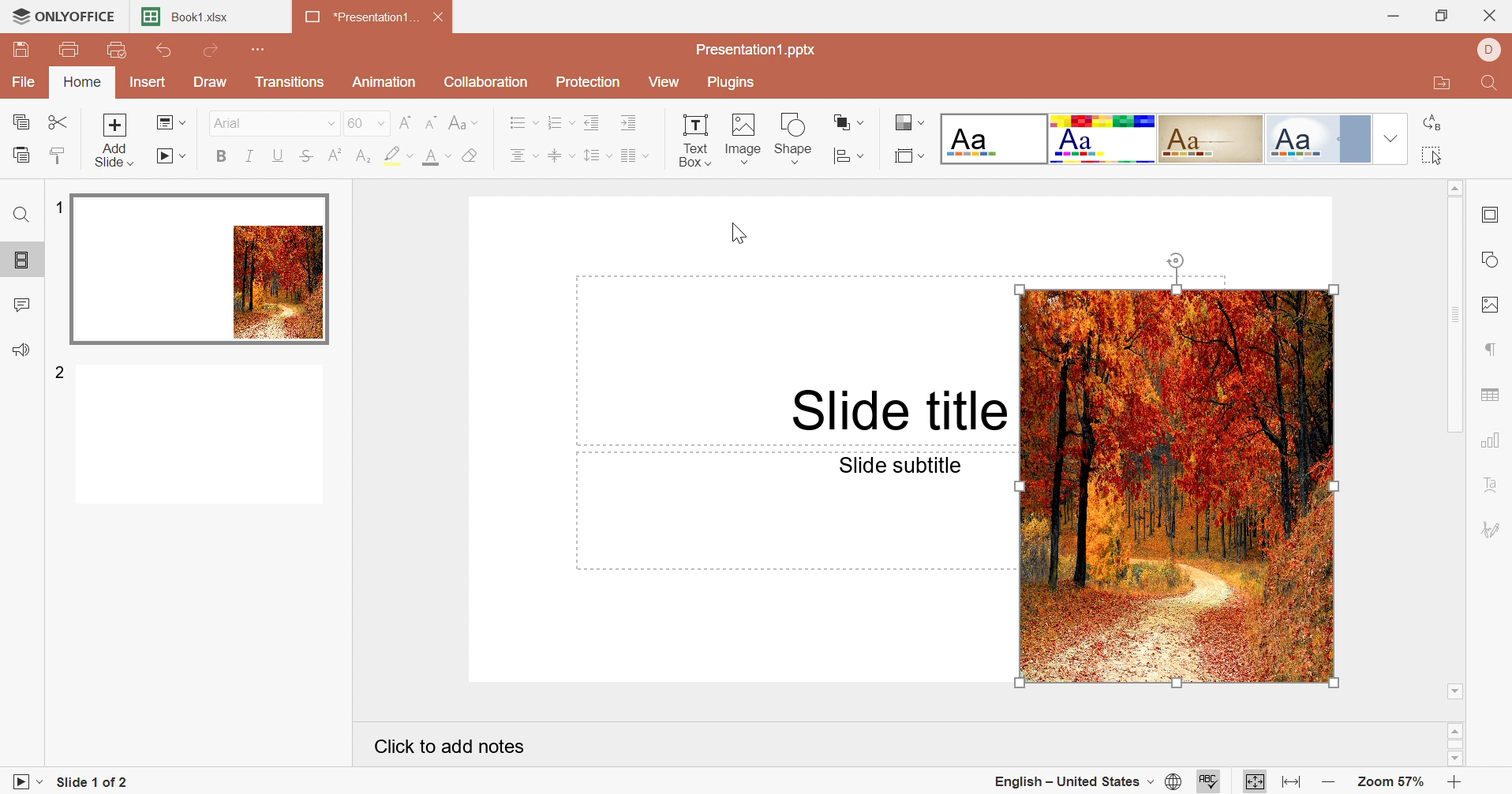 The height and width of the screenshot is (794, 1512). I want to click on Decrease Indent, so click(594, 124).